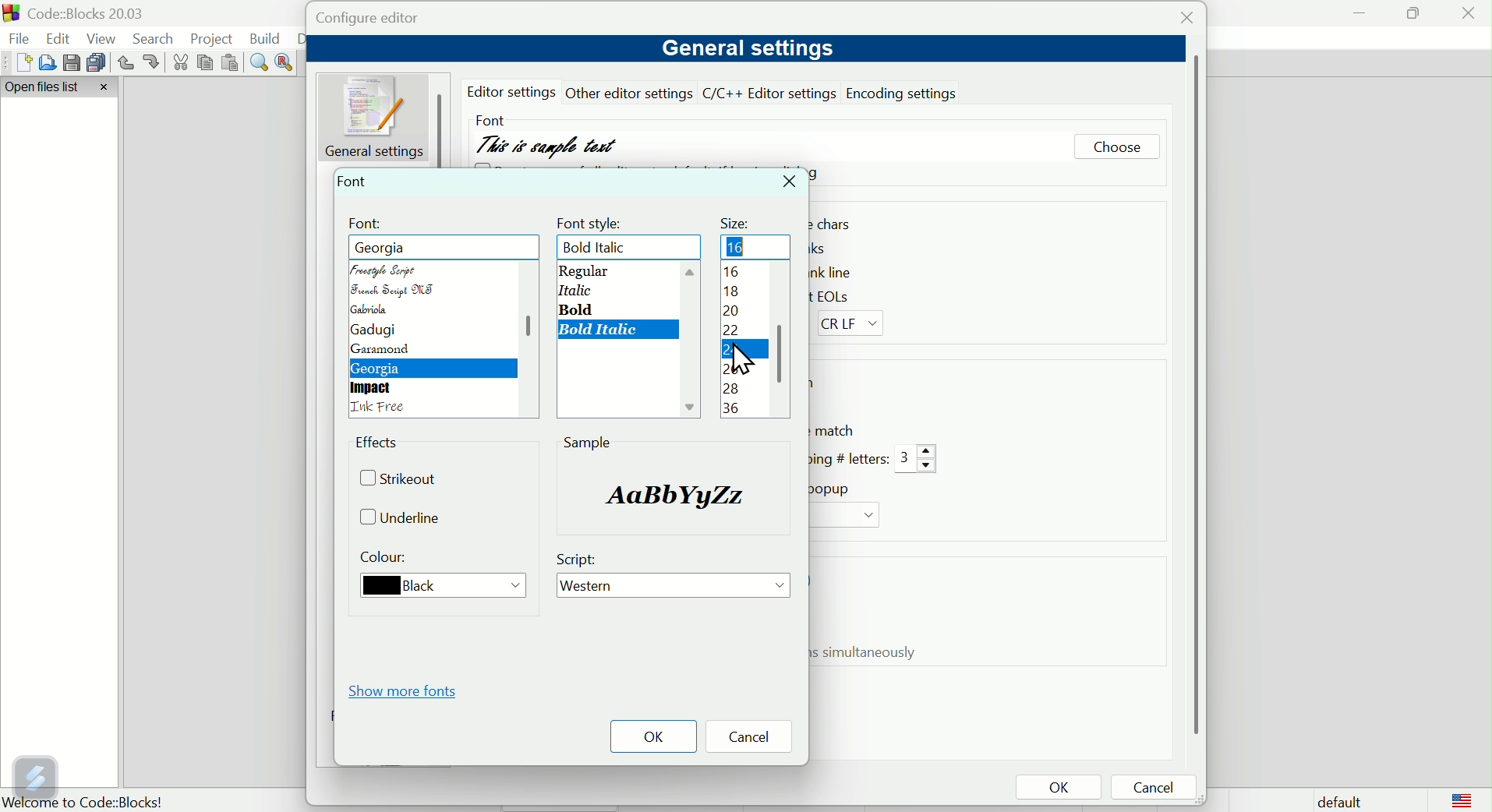  What do you see at coordinates (153, 62) in the screenshot?
I see `redo` at bounding box center [153, 62].